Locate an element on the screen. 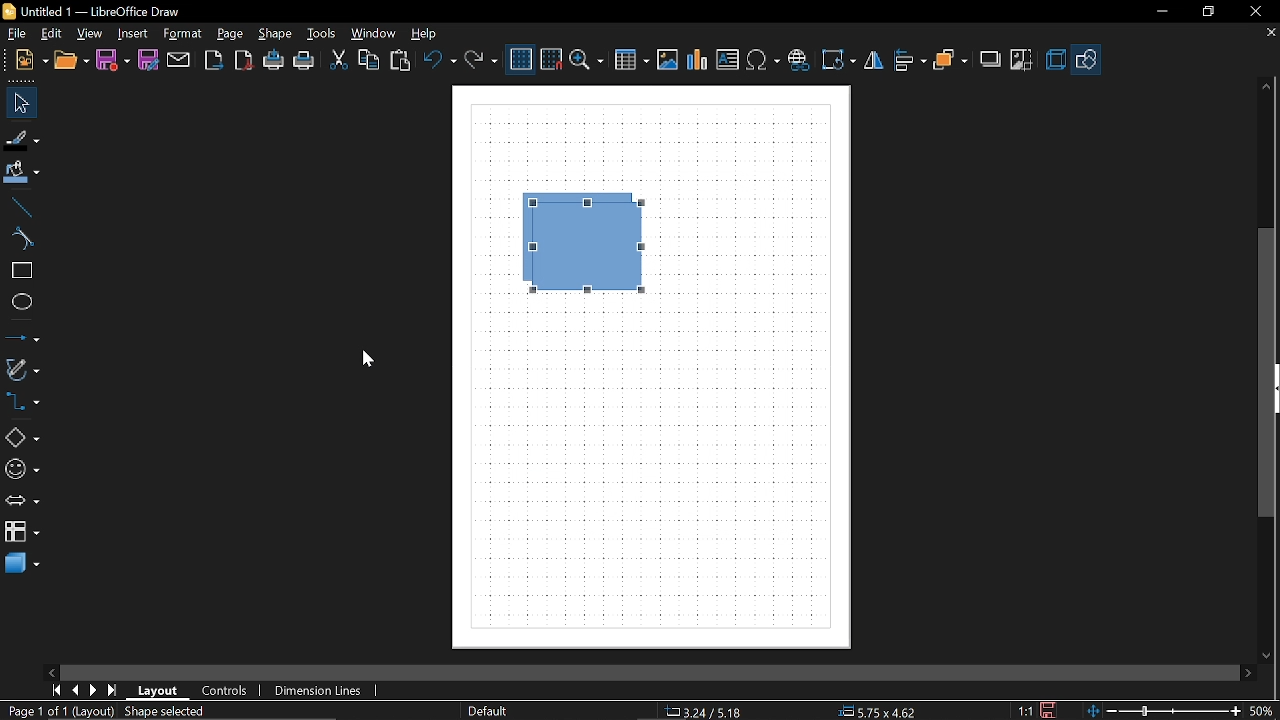 Image resolution: width=1280 pixels, height=720 pixels. Save is located at coordinates (113, 61).